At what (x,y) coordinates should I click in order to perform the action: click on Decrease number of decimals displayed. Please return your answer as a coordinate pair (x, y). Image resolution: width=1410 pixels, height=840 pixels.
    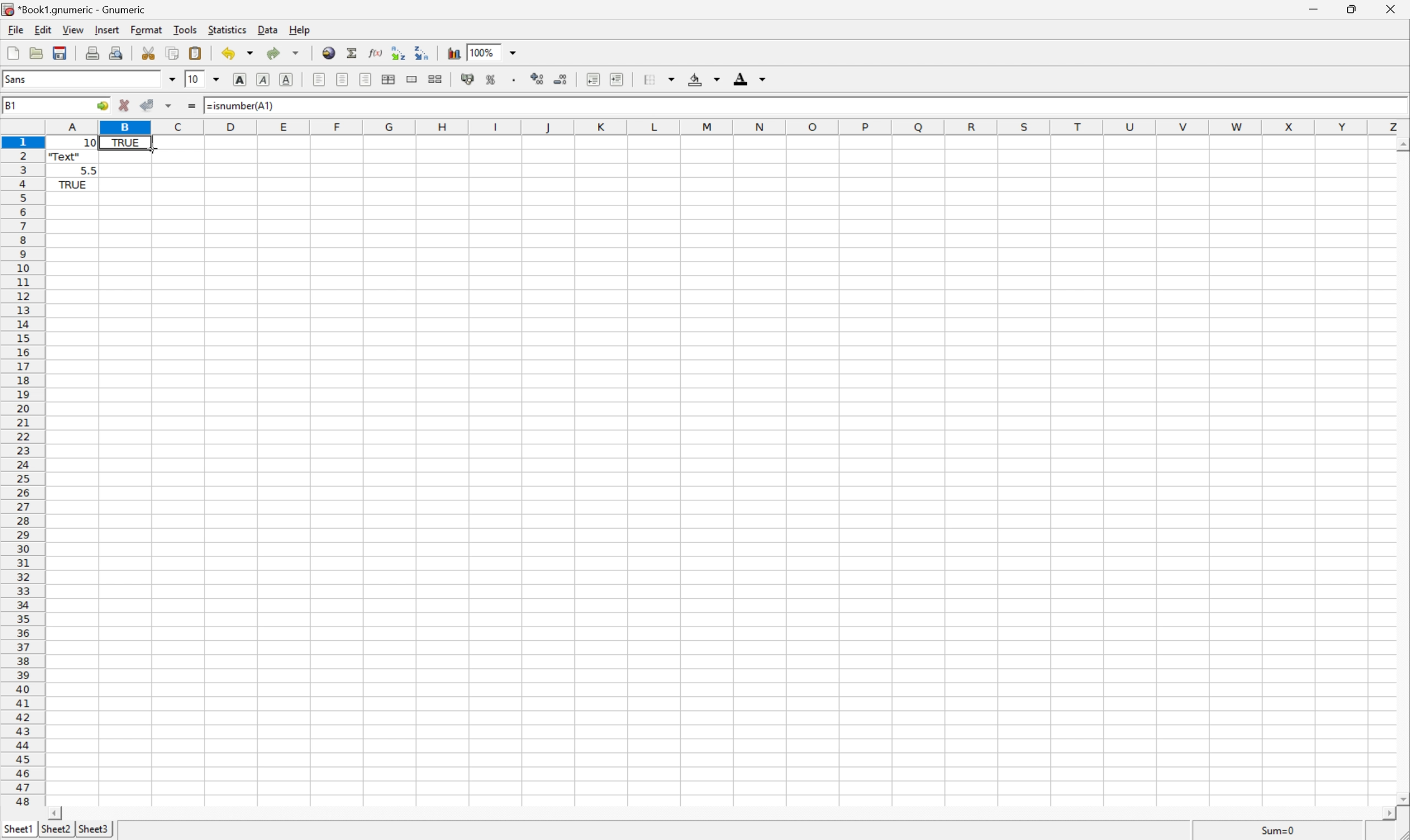
    Looking at the image, I should click on (562, 80).